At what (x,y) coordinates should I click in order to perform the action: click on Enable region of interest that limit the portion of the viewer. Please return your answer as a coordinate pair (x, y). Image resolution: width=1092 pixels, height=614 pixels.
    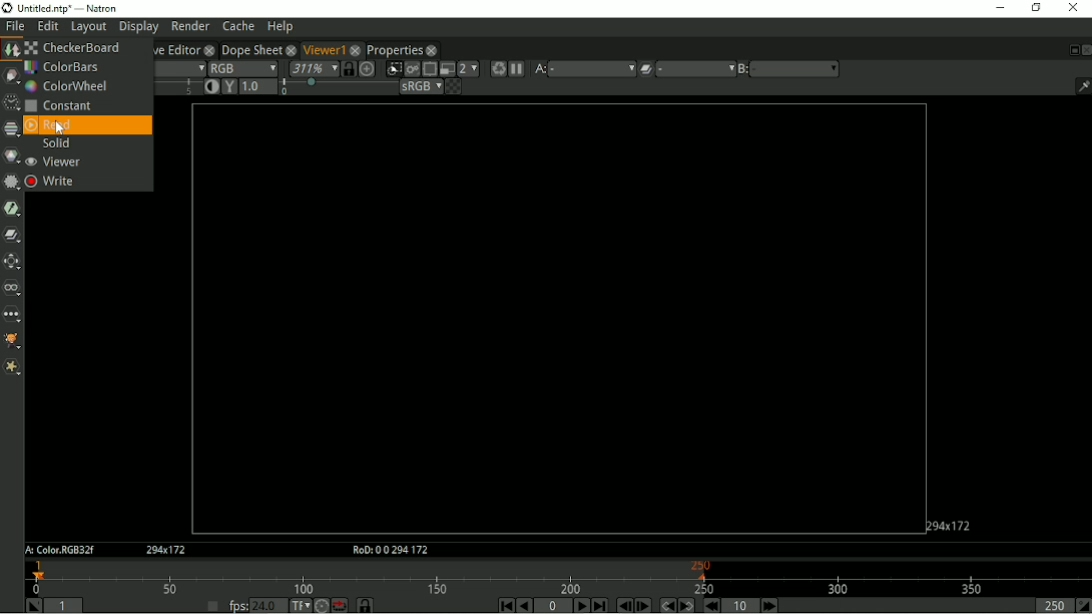
    Looking at the image, I should click on (429, 69).